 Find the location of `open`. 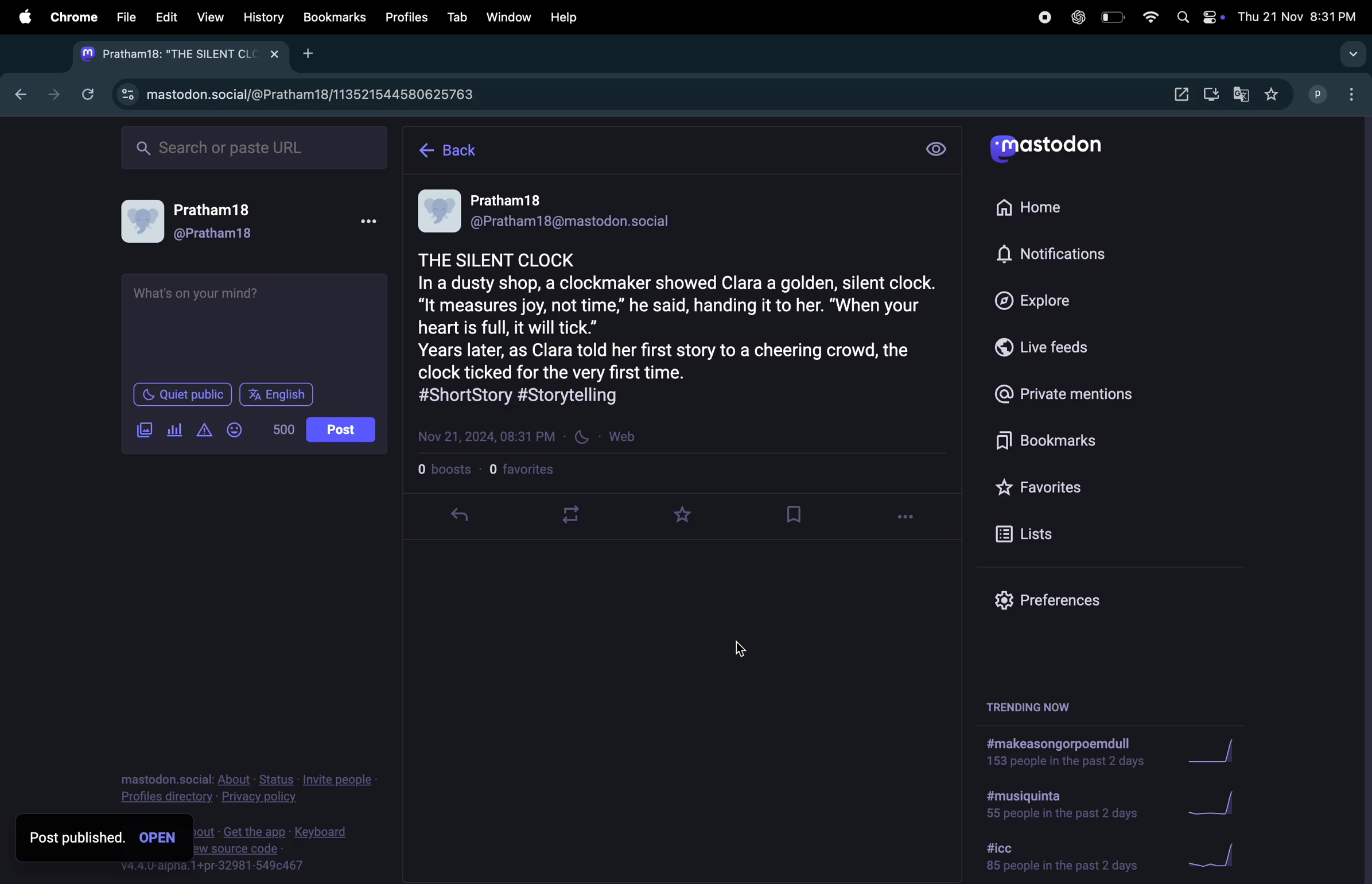

open is located at coordinates (160, 836).